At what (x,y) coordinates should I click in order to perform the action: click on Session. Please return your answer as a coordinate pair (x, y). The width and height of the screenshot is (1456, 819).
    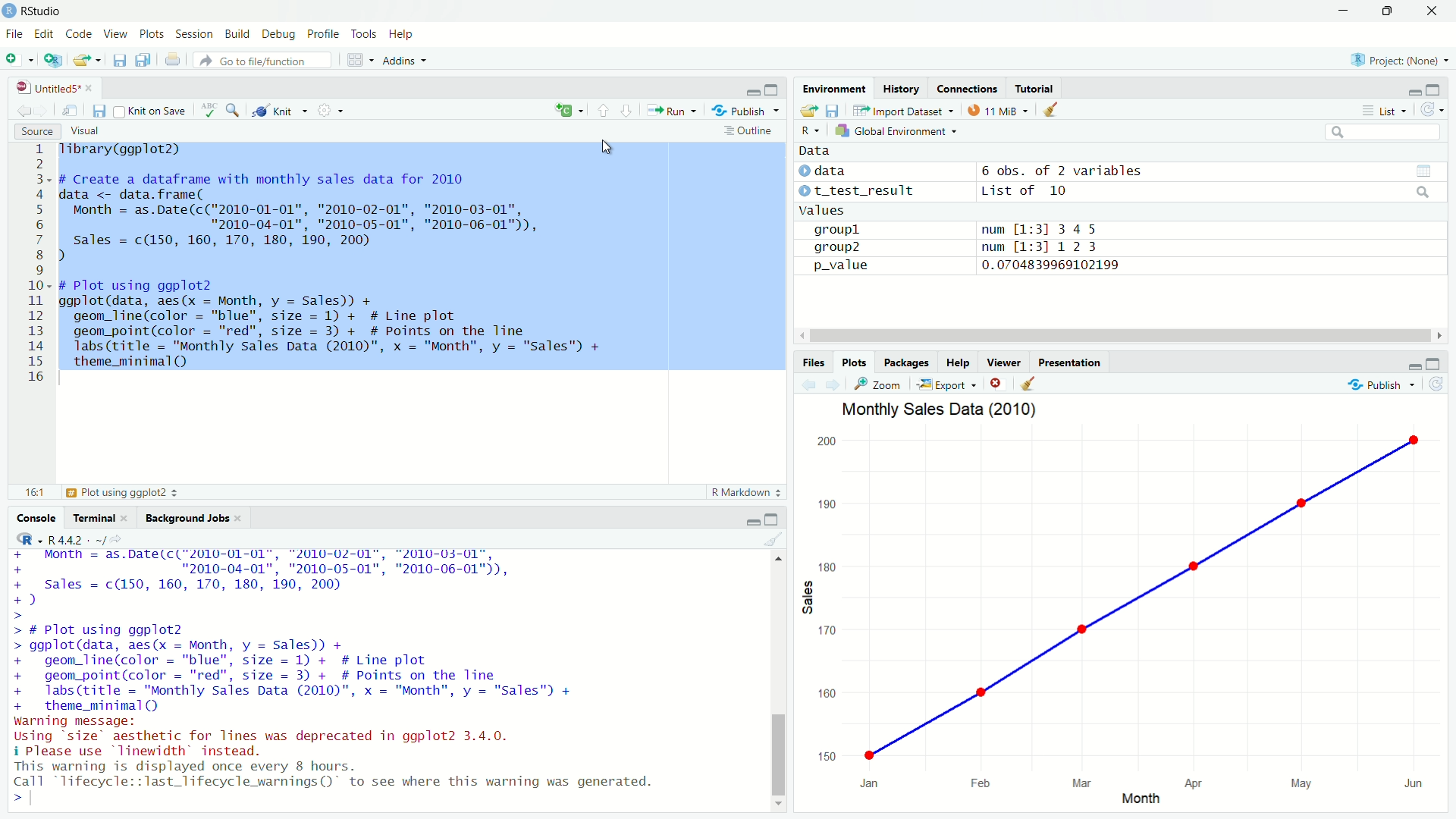
    Looking at the image, I should click on (196, 33).